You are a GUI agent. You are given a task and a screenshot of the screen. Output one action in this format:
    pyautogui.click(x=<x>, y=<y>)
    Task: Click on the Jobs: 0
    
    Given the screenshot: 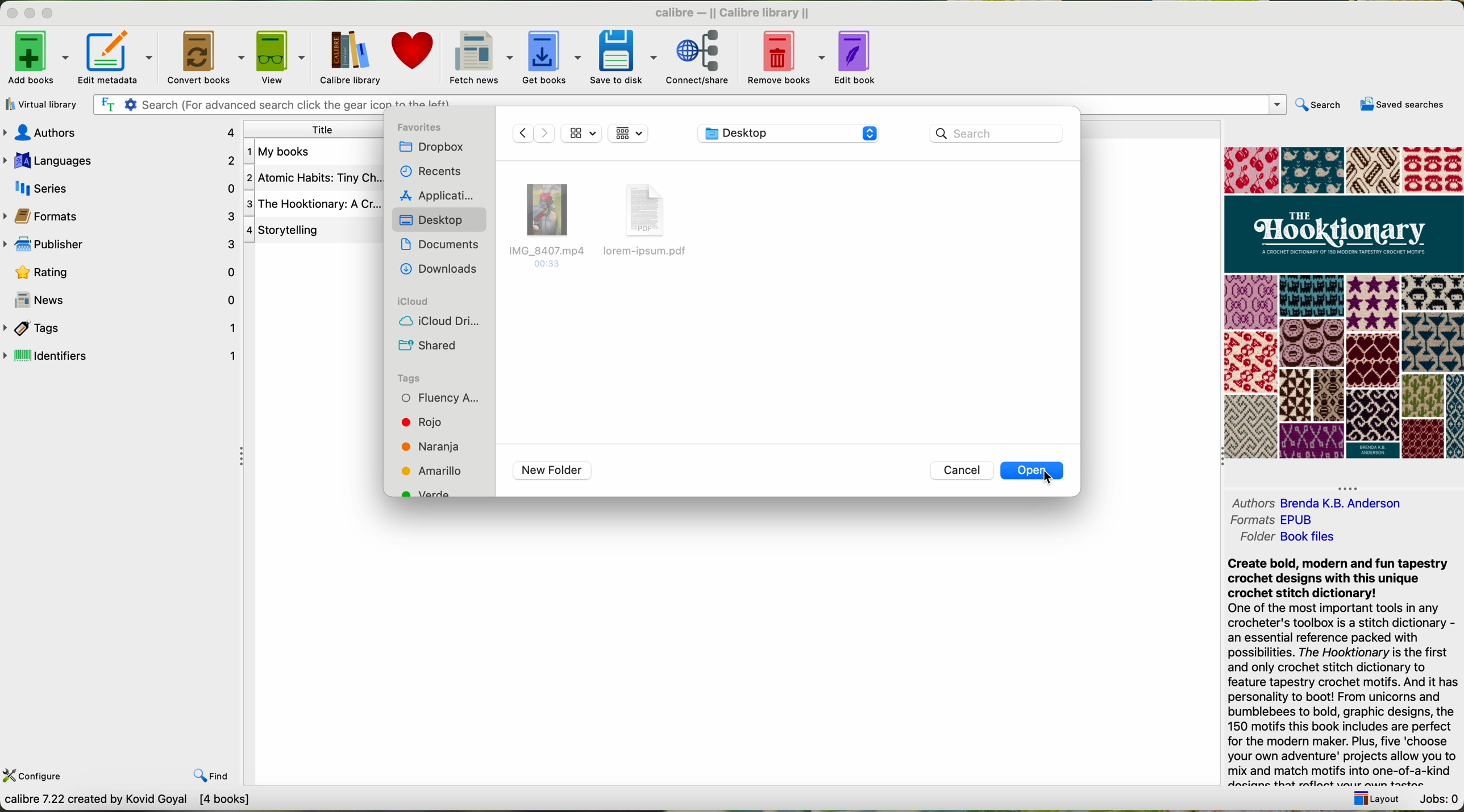 What is the action you would take?
    pyautogui.click(x=1440, y=797)
    